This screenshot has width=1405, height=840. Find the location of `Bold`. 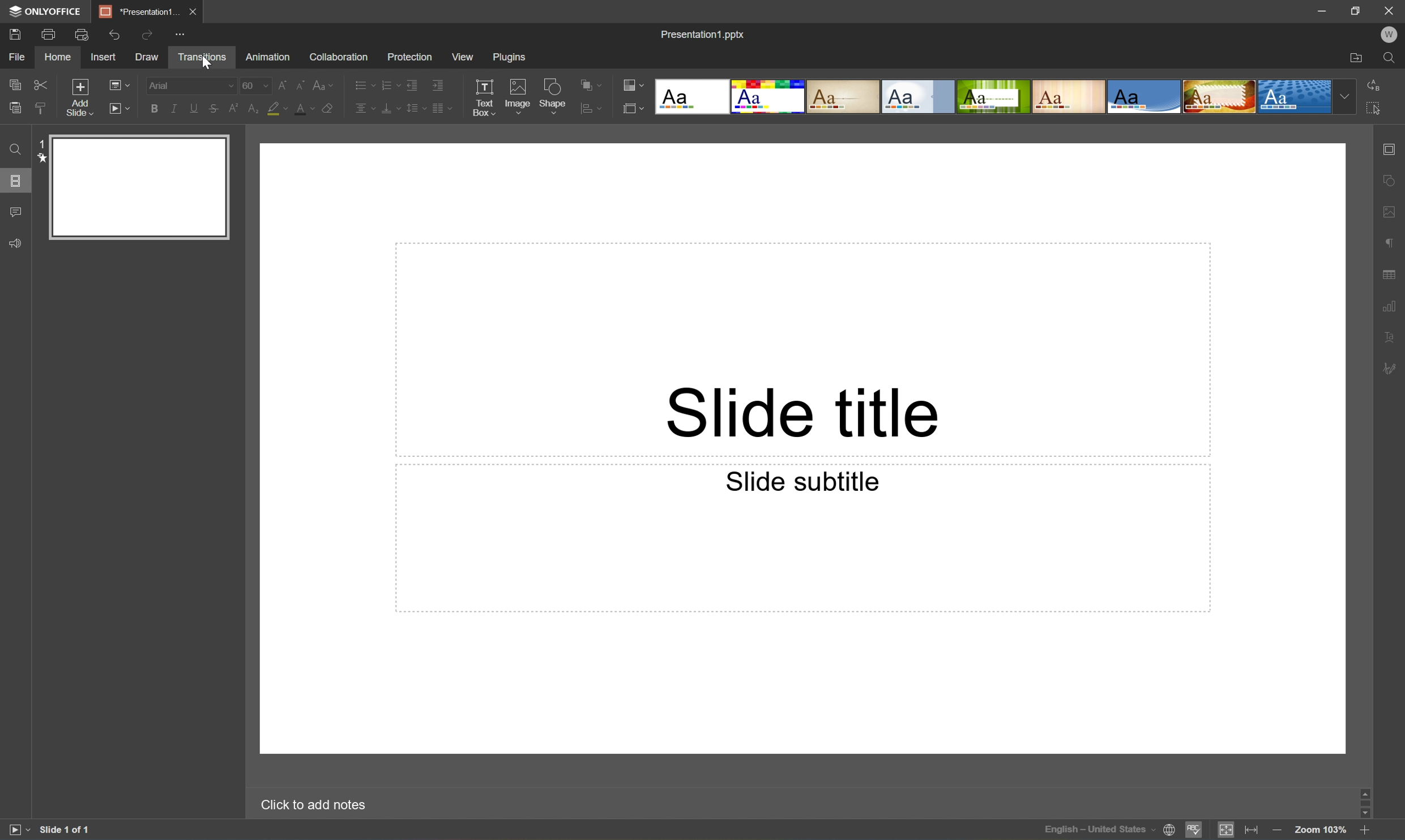

Bold is located at coordinates (155, 109).